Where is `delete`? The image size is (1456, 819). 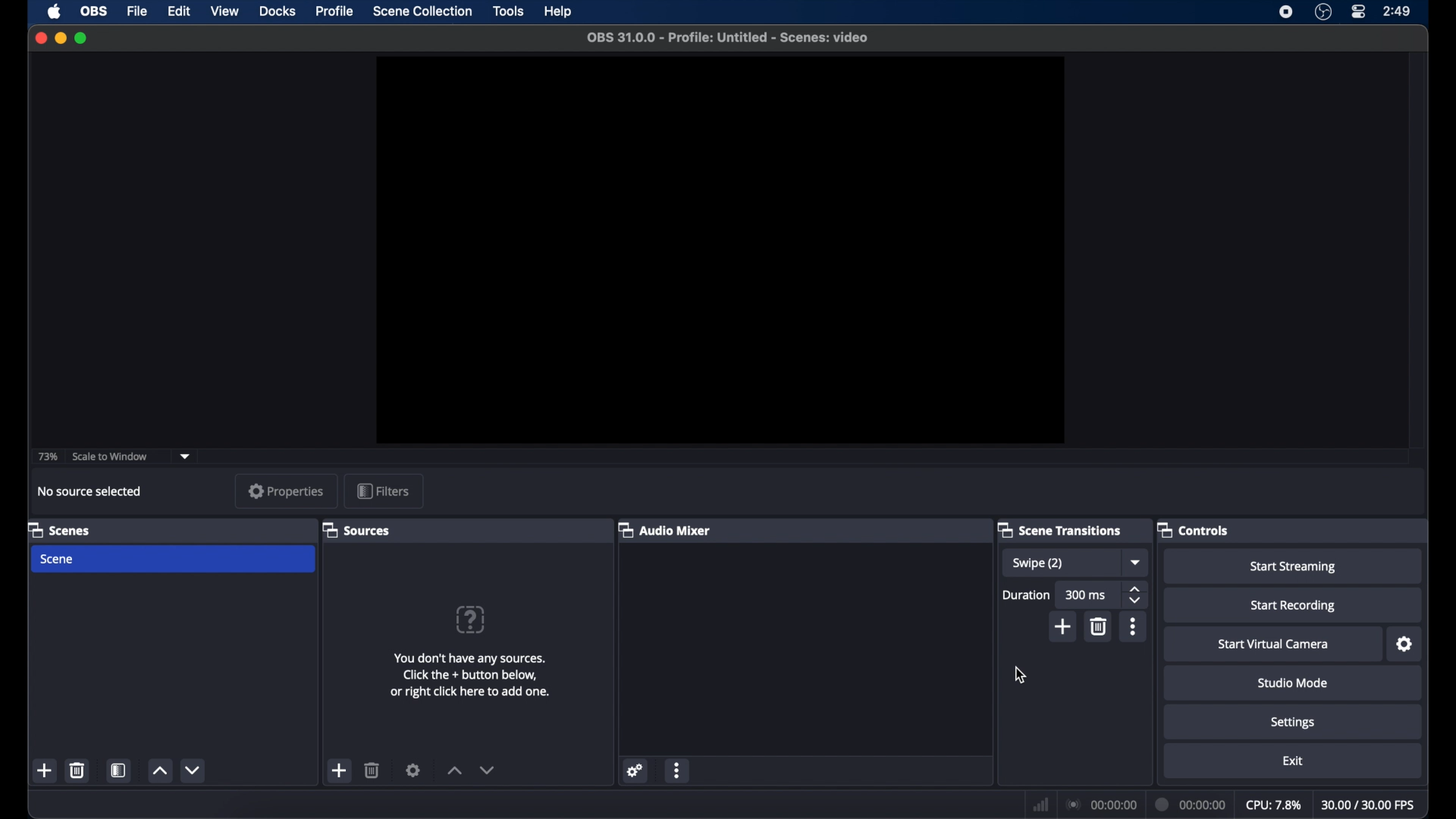 delete is located at coordinates (1100, 626).